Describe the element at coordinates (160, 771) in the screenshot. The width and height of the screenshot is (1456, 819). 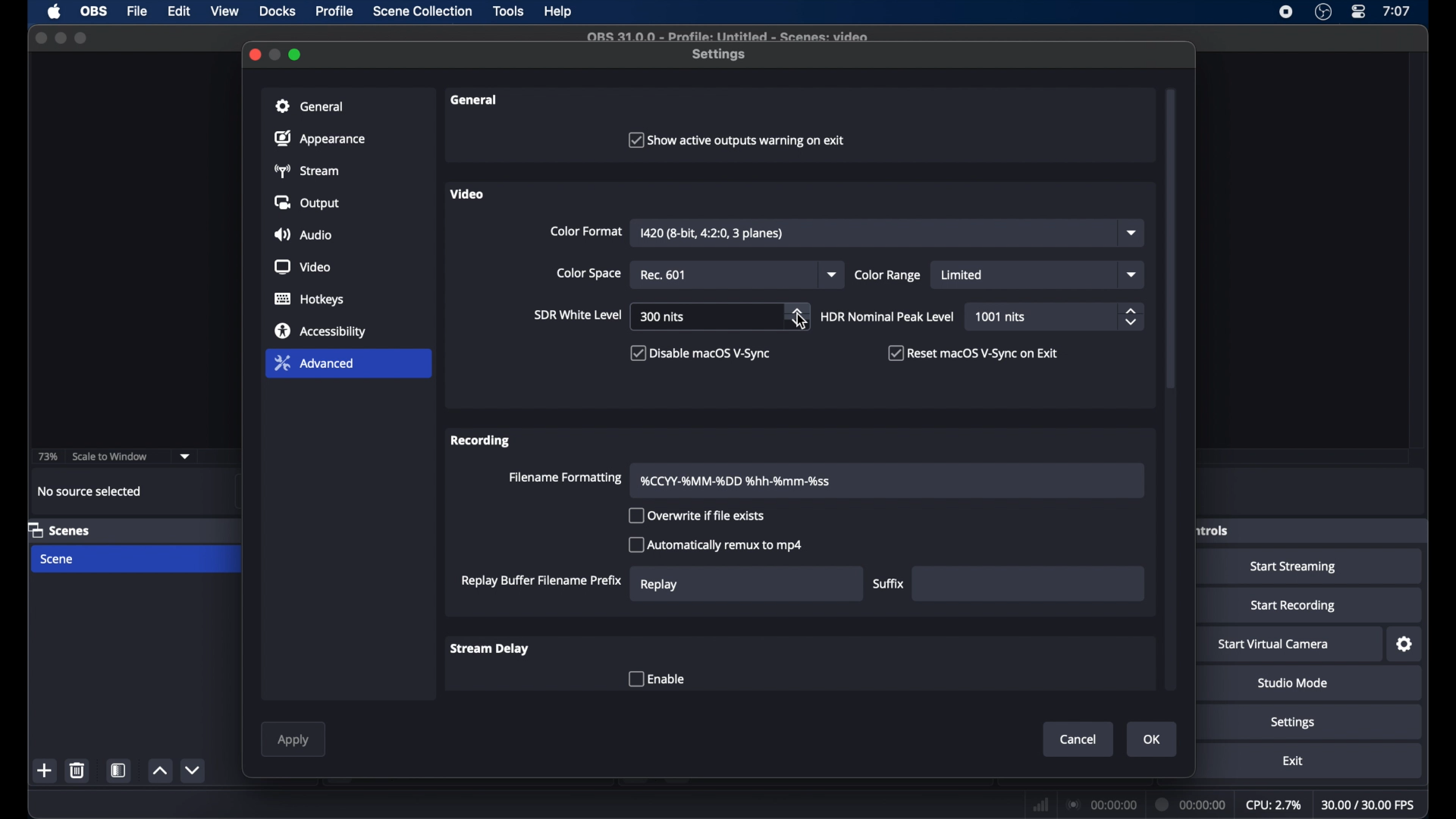
I see `increment` at that location.